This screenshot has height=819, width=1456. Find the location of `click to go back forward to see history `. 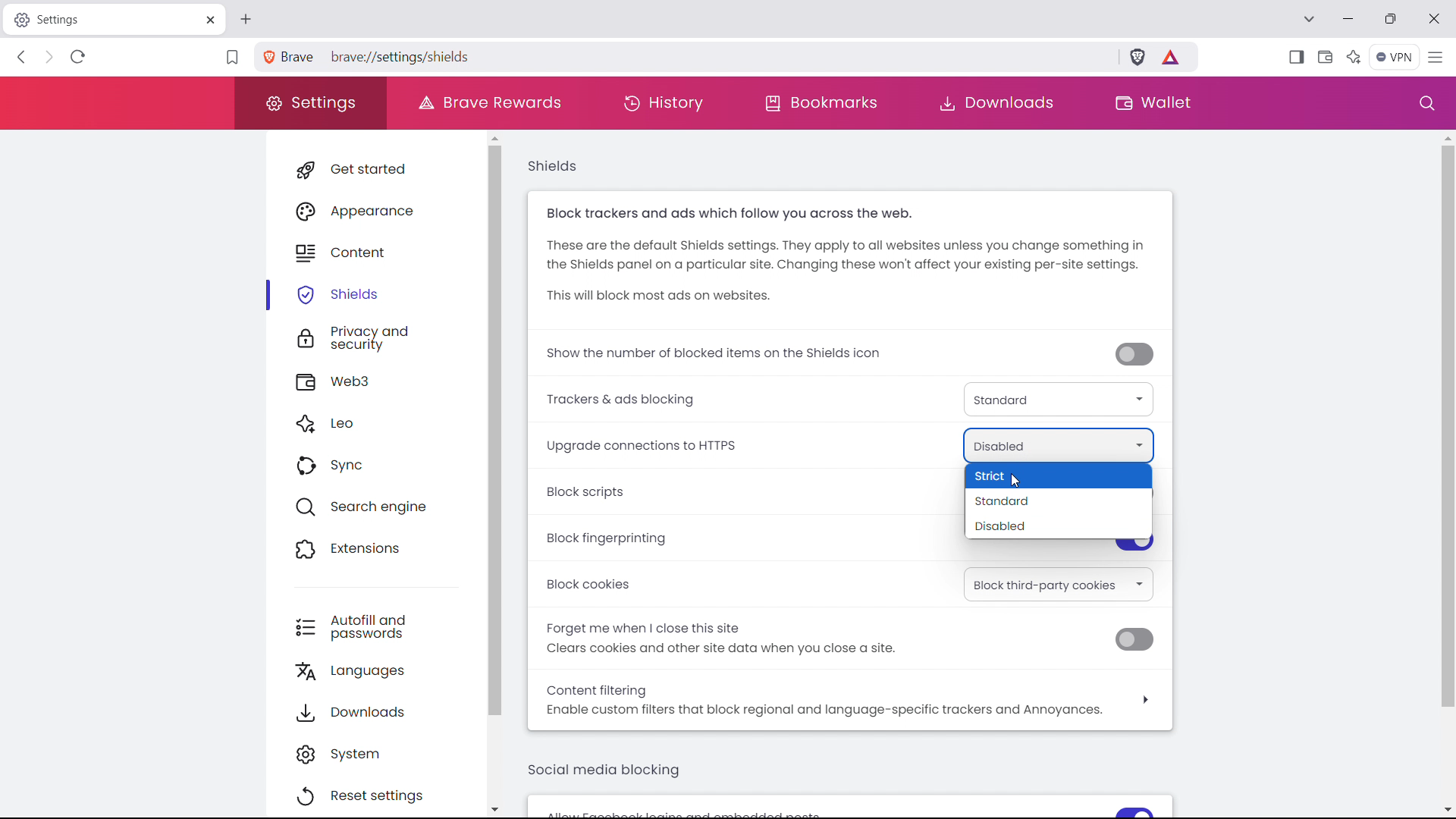

click to go back forward to see history  is located at coordinates (47, 56).